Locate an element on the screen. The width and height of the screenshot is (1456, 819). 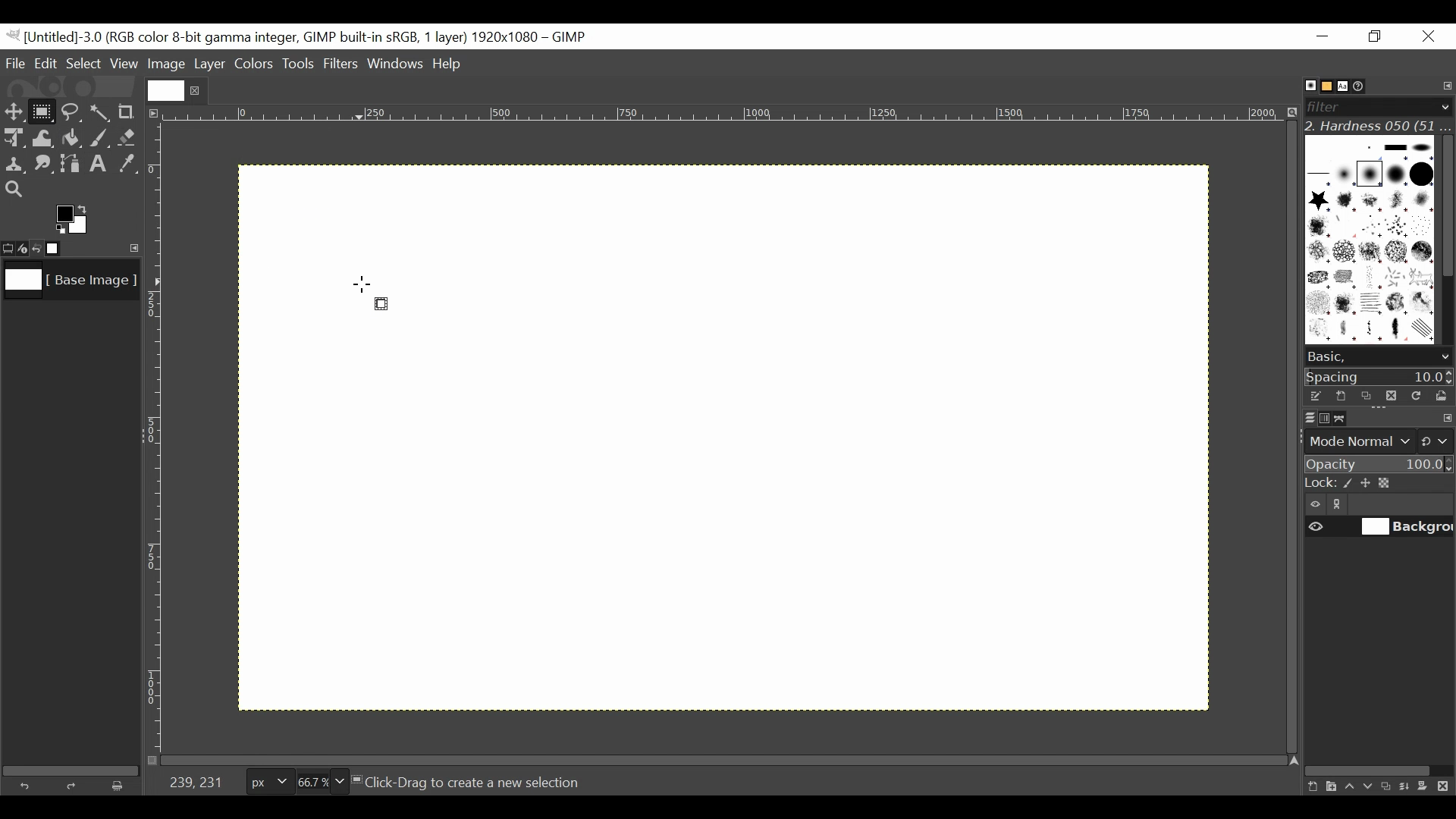
Undo is located at coordinates (28, 784).